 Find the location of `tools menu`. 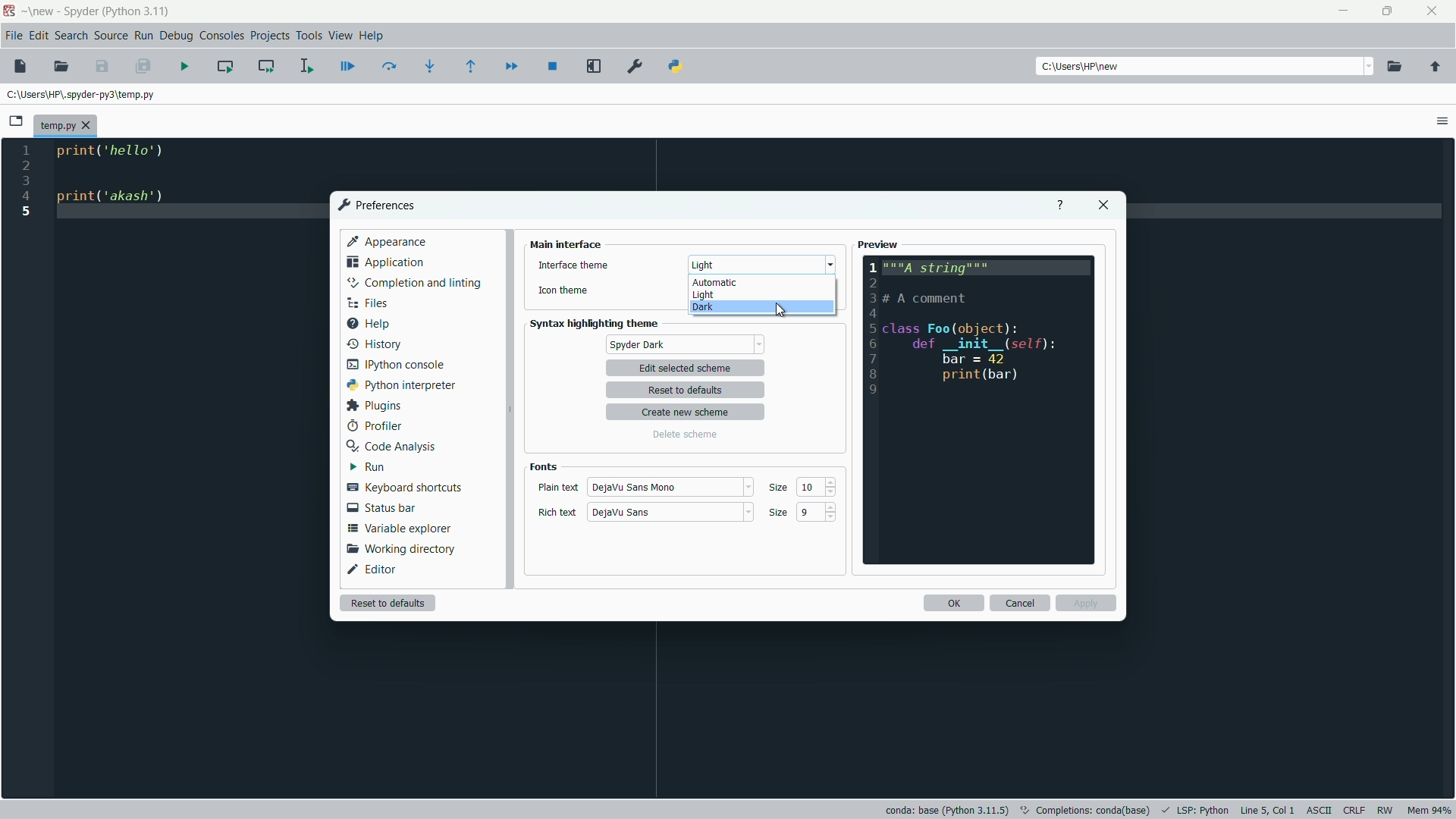

tools menu is located at coordinates (308, 36).